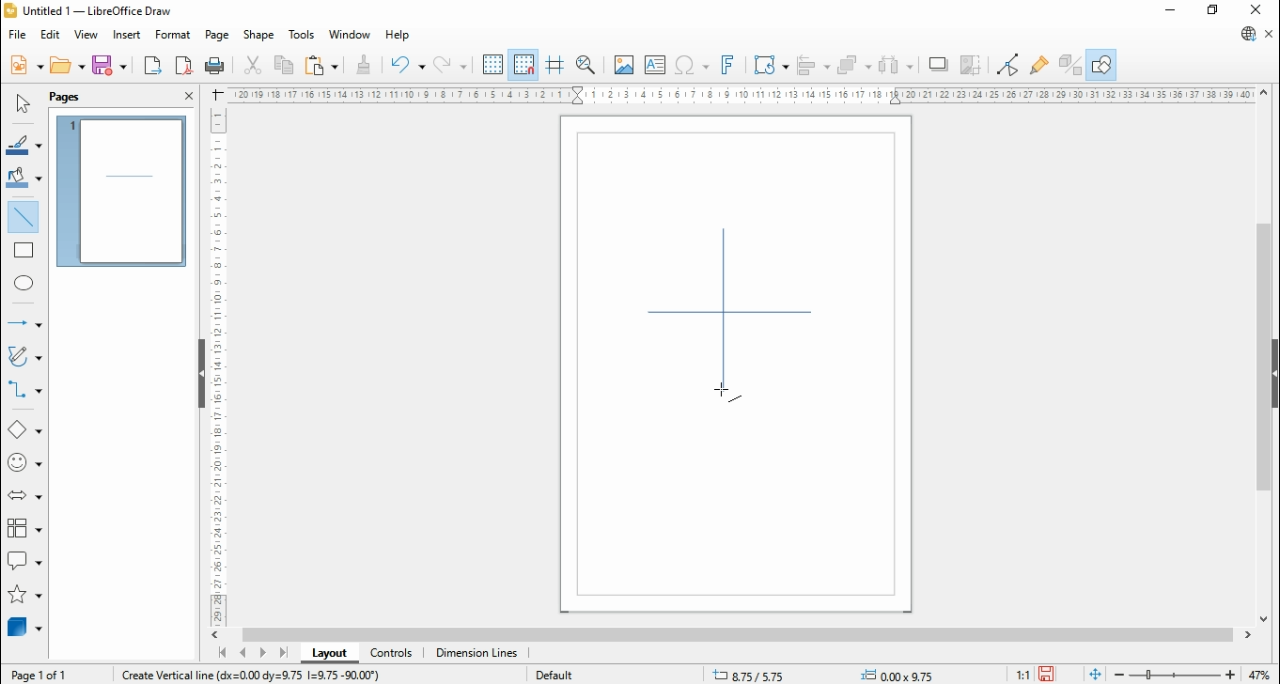  I want to click on file, so click(16, 35).